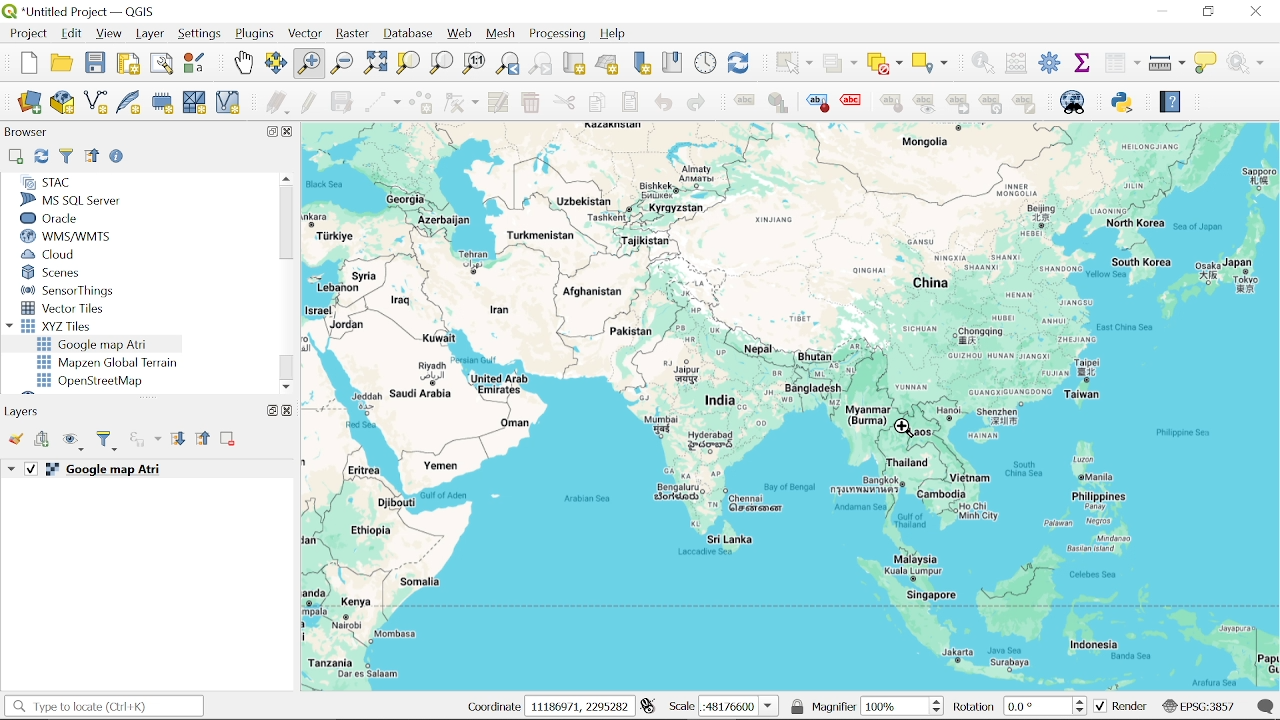 The width and height of the screenshot is (1280, 720). What do you see at coordinates (150, 34) in the screenshot?
I see `Layer` at bounding box center [150, 34].